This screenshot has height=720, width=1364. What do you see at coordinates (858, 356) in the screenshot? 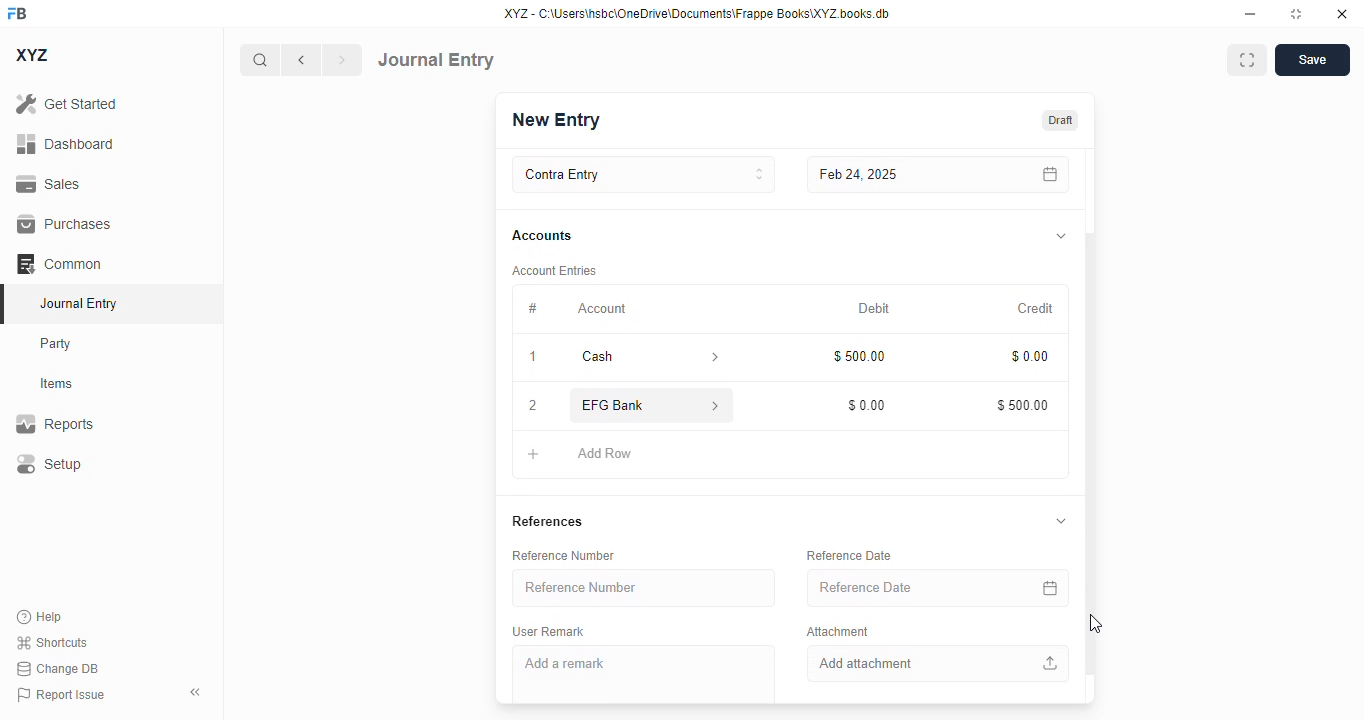
I see `$500.00 ` at bounding box center [858, 356].